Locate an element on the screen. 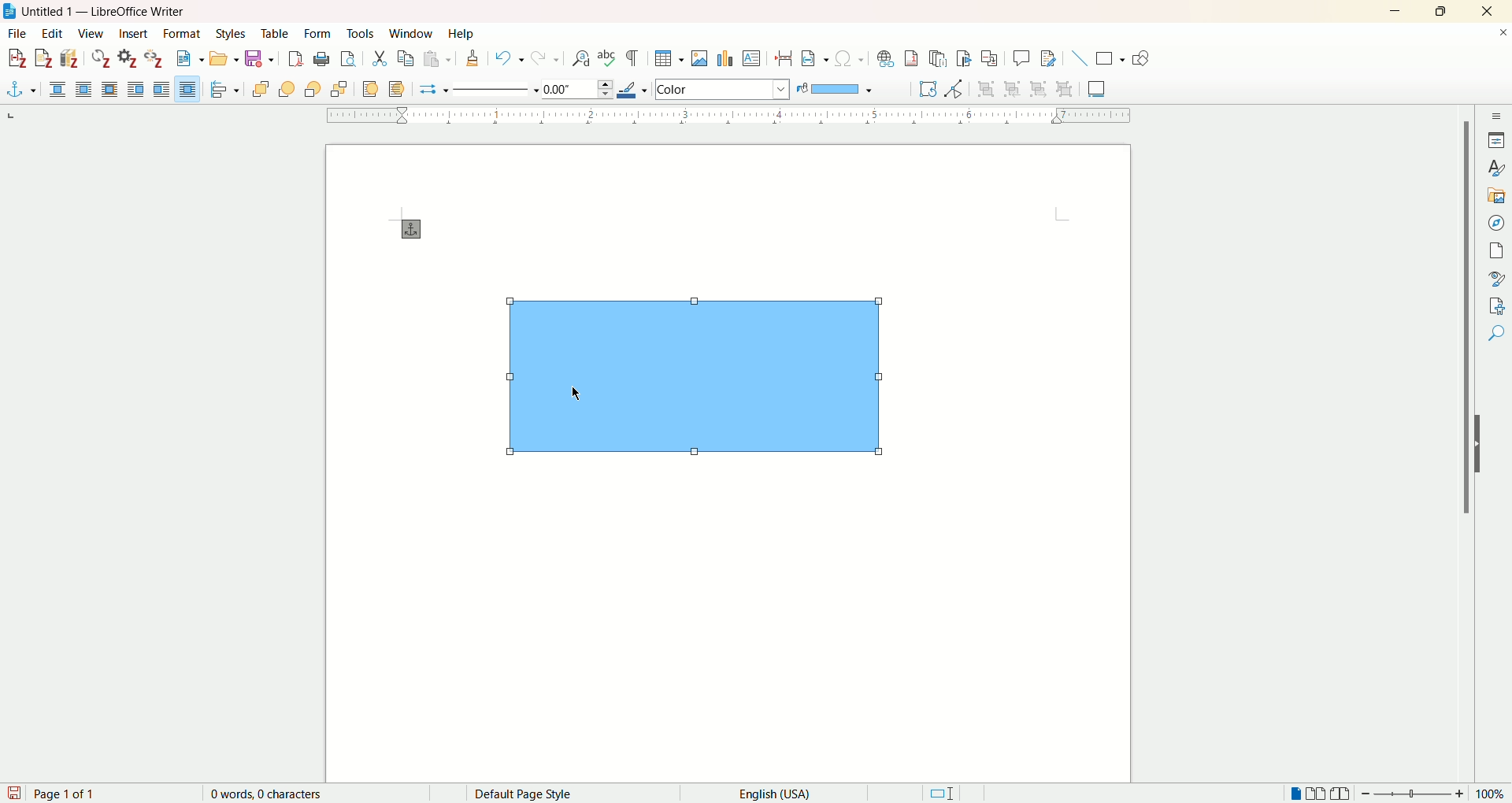 The image size is (1512, 803). insert table is located at coordinates (671, 59).